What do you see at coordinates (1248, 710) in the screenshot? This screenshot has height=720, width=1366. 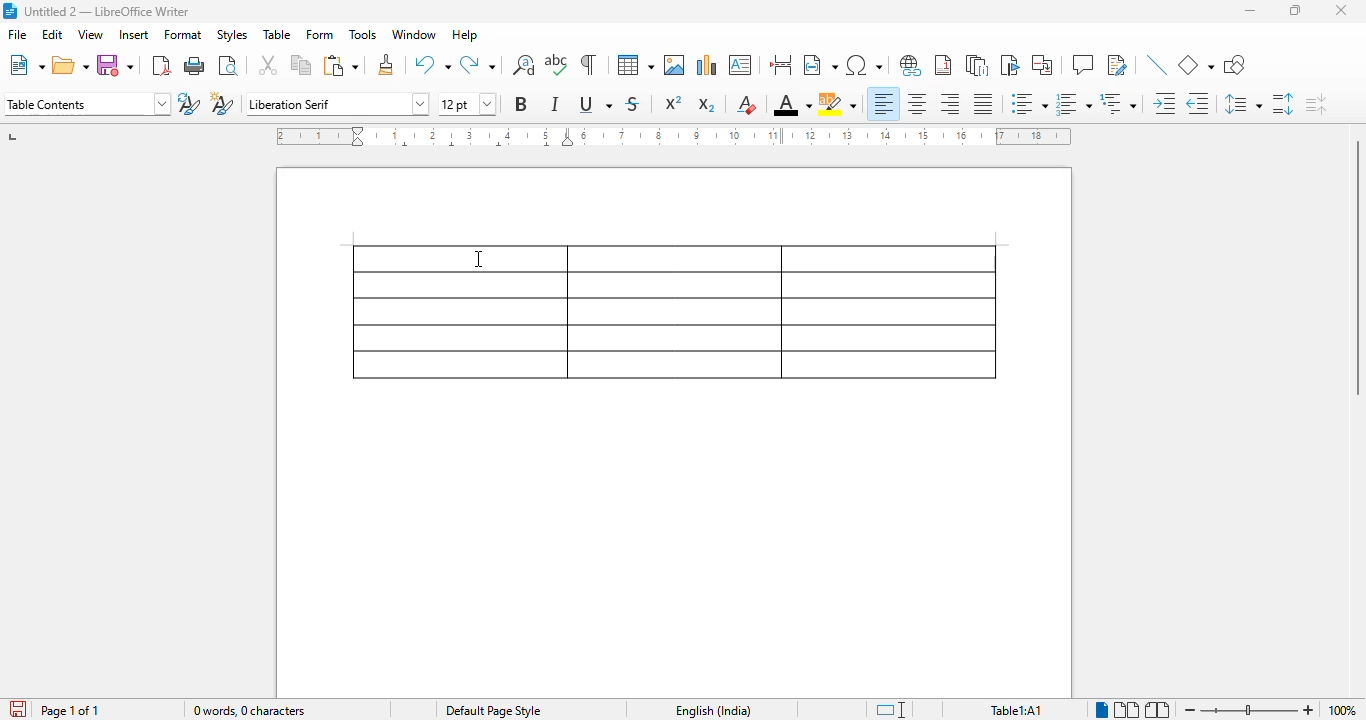 I see `` at bounding box center [1248, 710].